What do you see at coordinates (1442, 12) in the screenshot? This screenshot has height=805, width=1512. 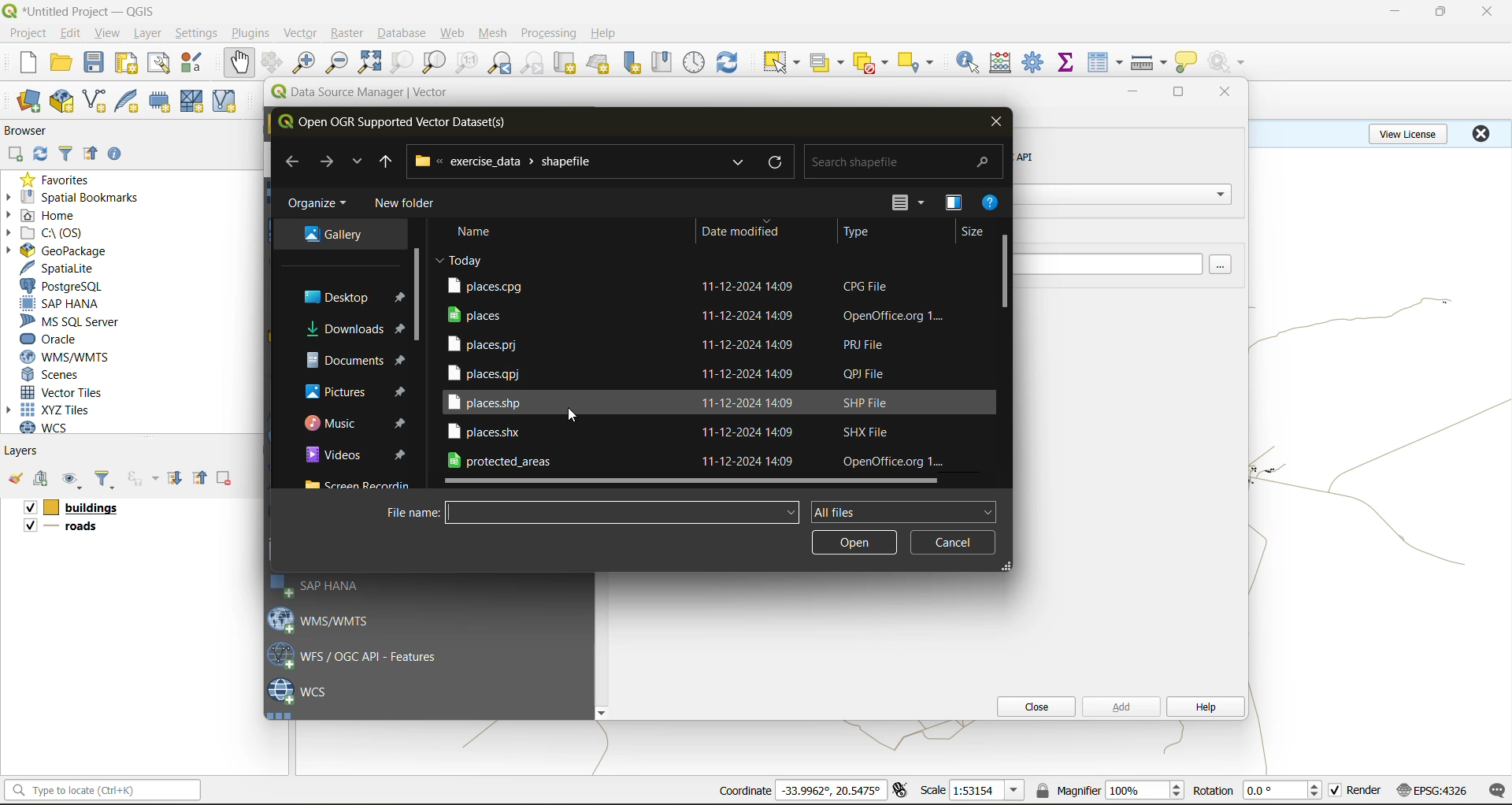 I see `maximize` at bounding box center [1442, 12].